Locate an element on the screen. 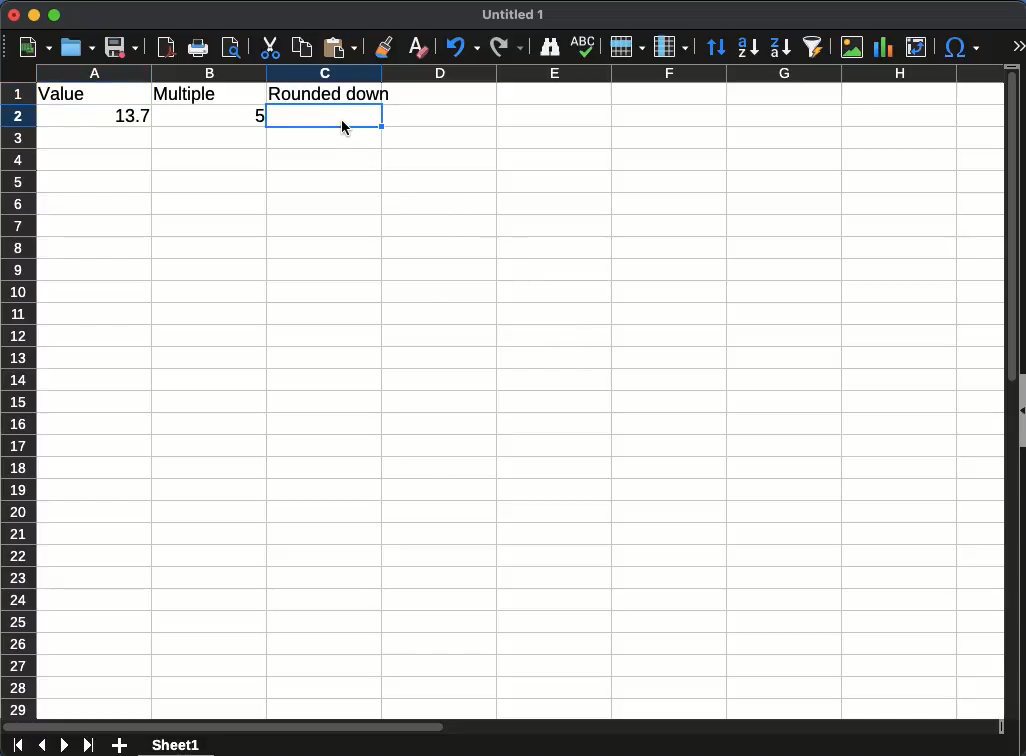  finder is located at coordinates (550, 48).